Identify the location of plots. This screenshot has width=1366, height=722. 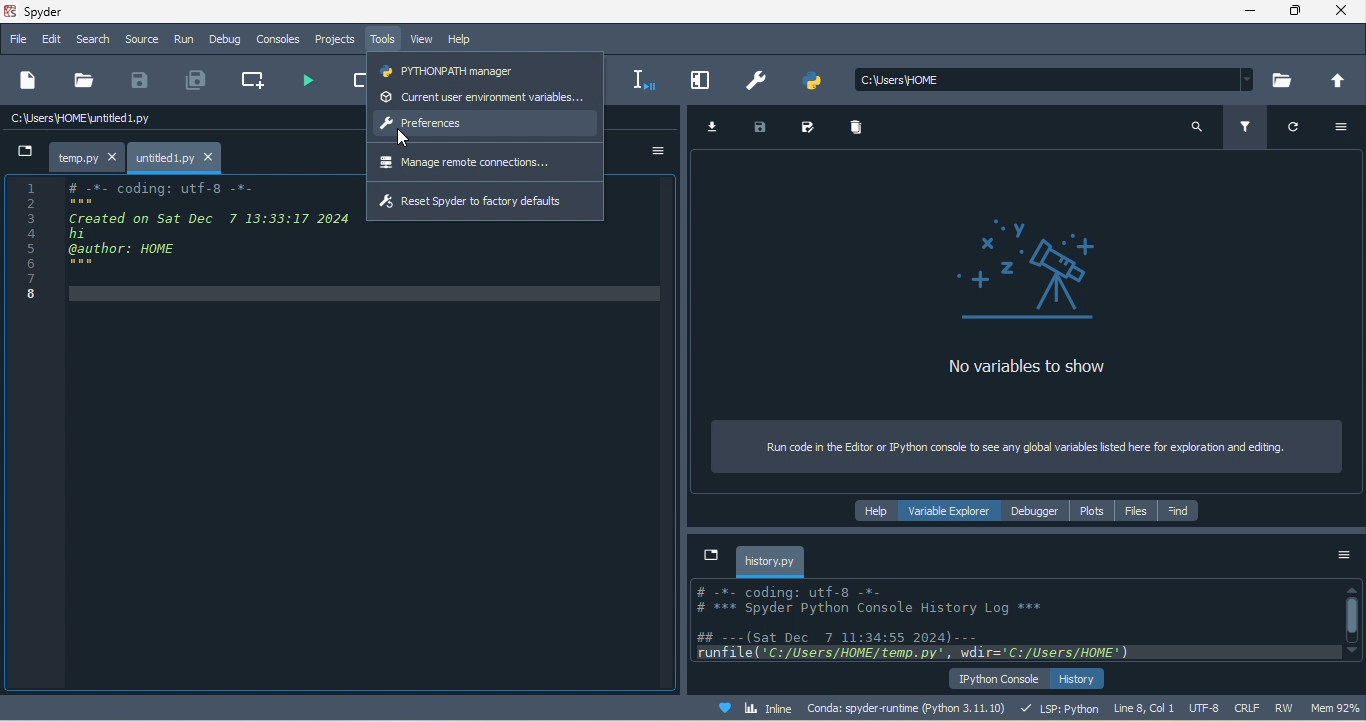
(1092, 512).